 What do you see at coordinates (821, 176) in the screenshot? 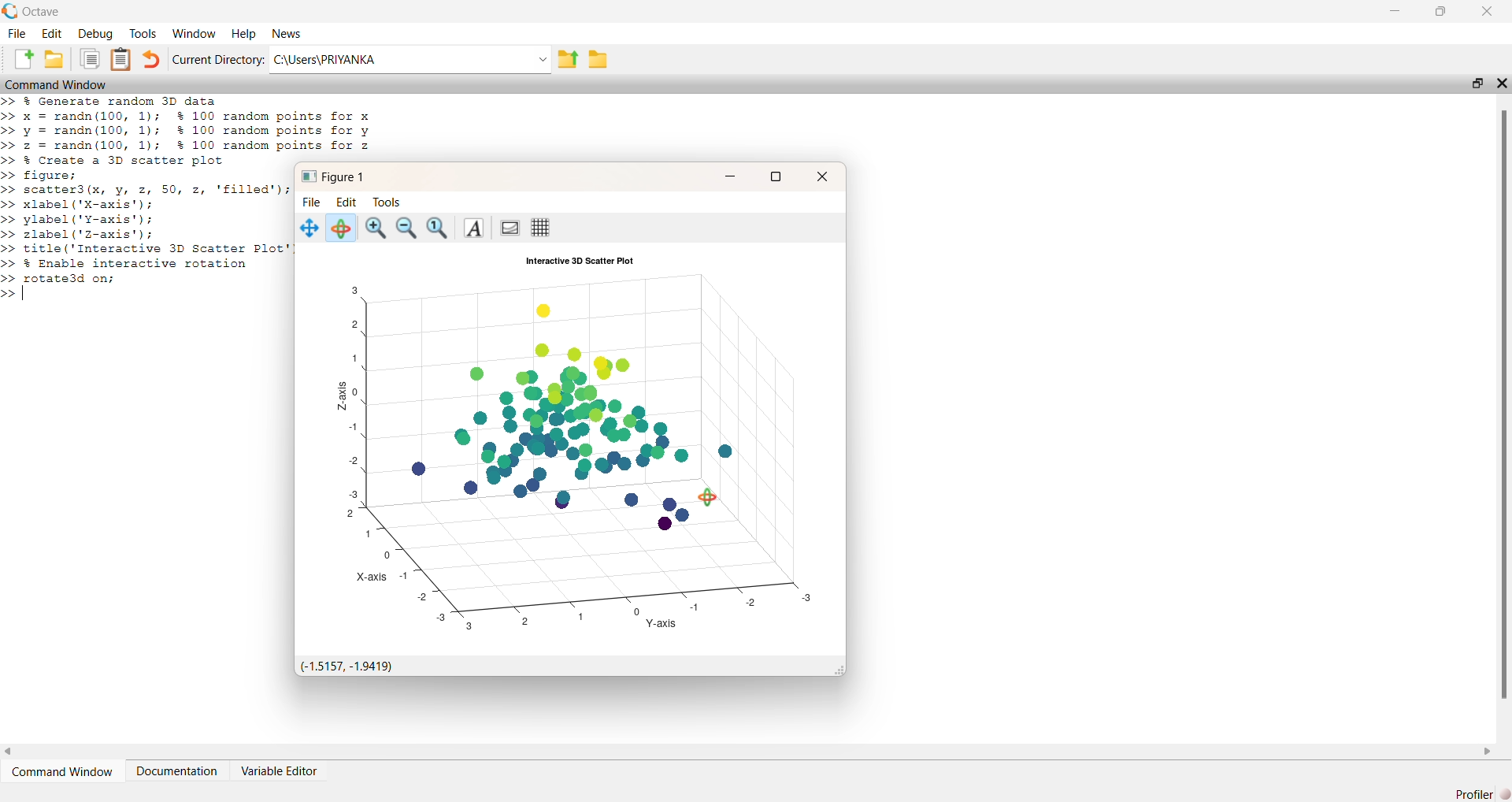
I see `close` at bounding box center [821, 176].